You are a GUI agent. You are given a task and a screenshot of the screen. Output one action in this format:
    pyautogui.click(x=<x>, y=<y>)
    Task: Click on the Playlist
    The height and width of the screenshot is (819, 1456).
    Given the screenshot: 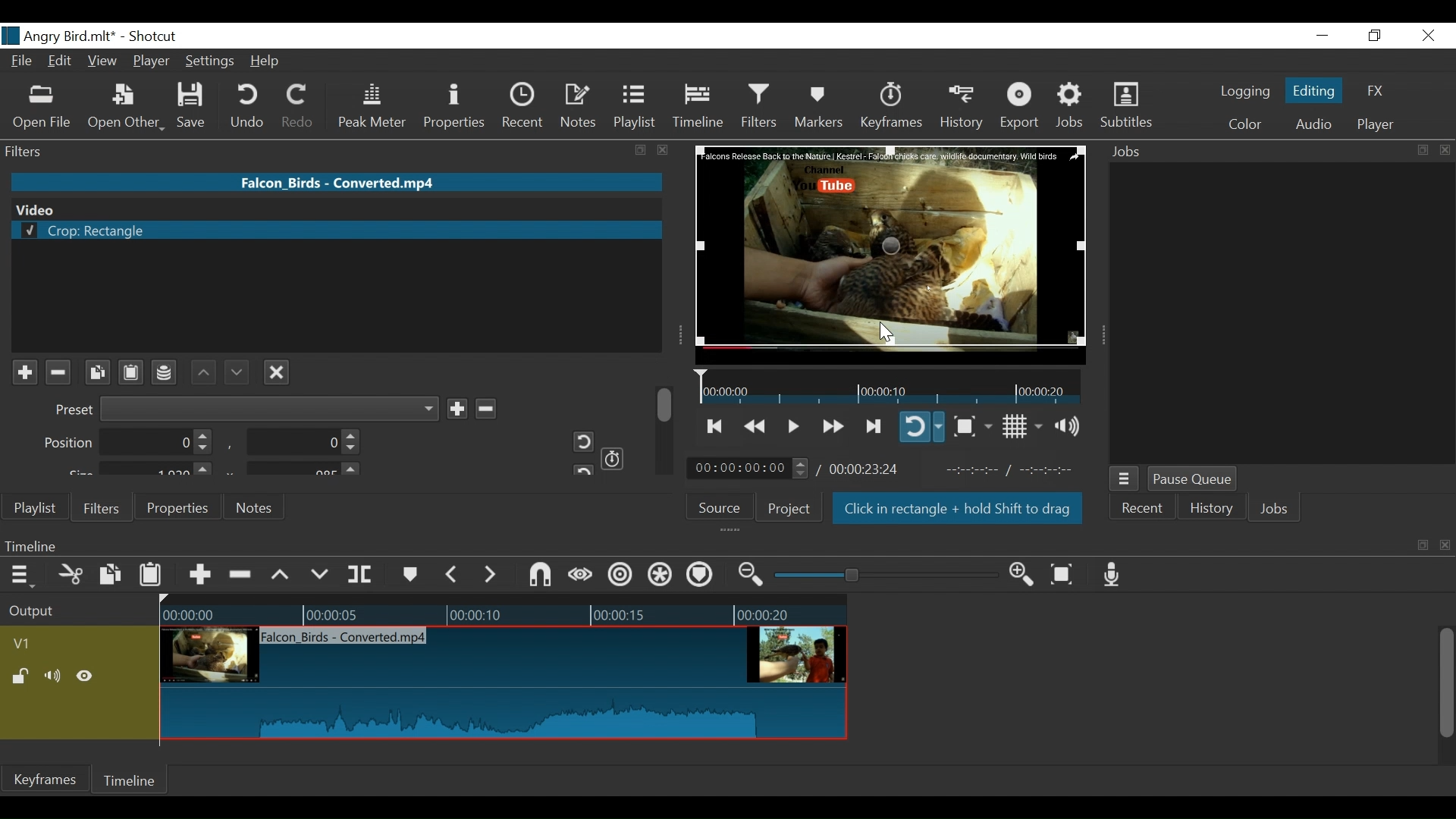 What is the action you would take?
    pyautogui.click(x=635, y=106)
    